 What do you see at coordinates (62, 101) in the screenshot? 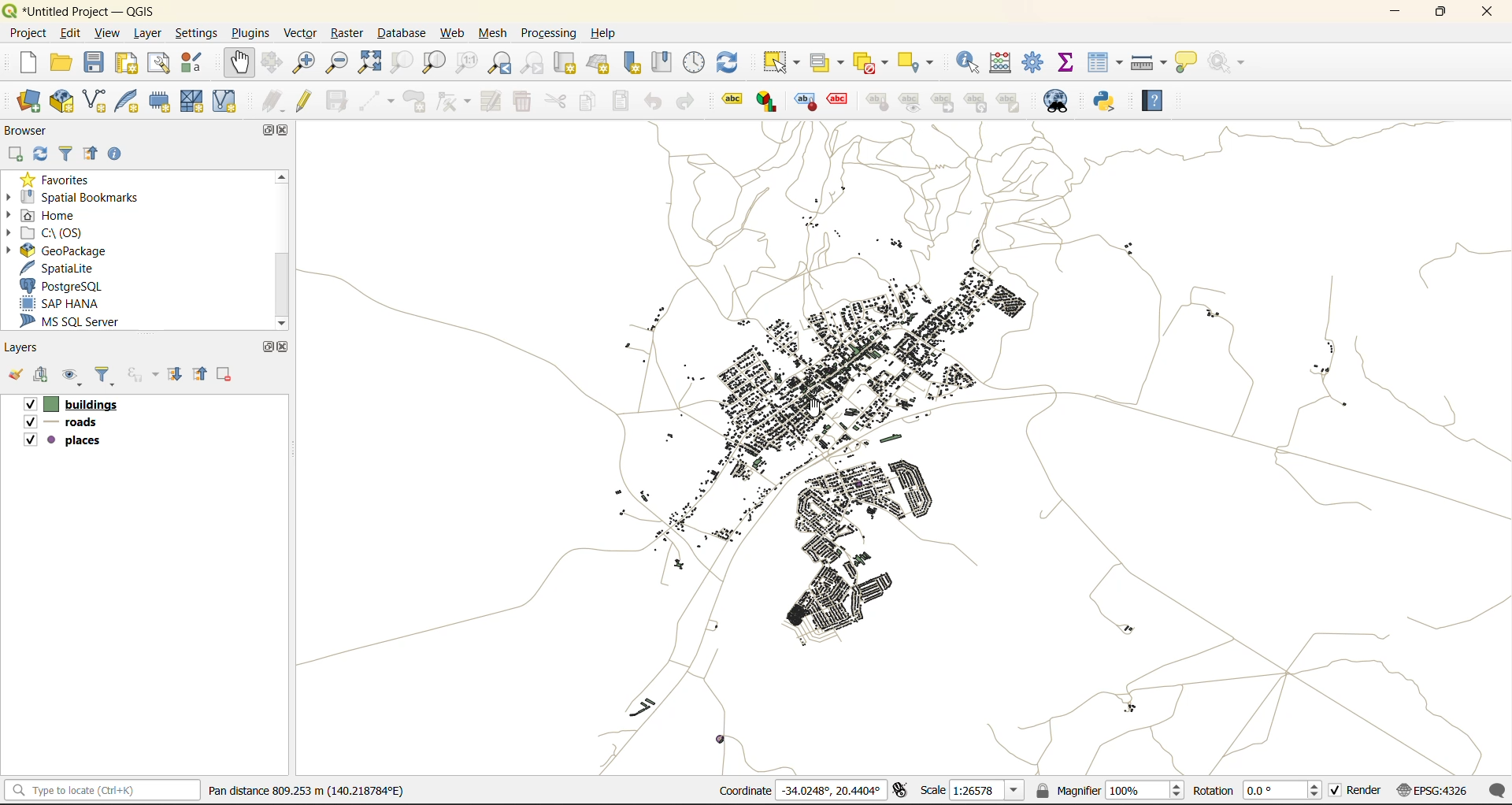
I see `add geopackage` at bounding box center [62, 101].